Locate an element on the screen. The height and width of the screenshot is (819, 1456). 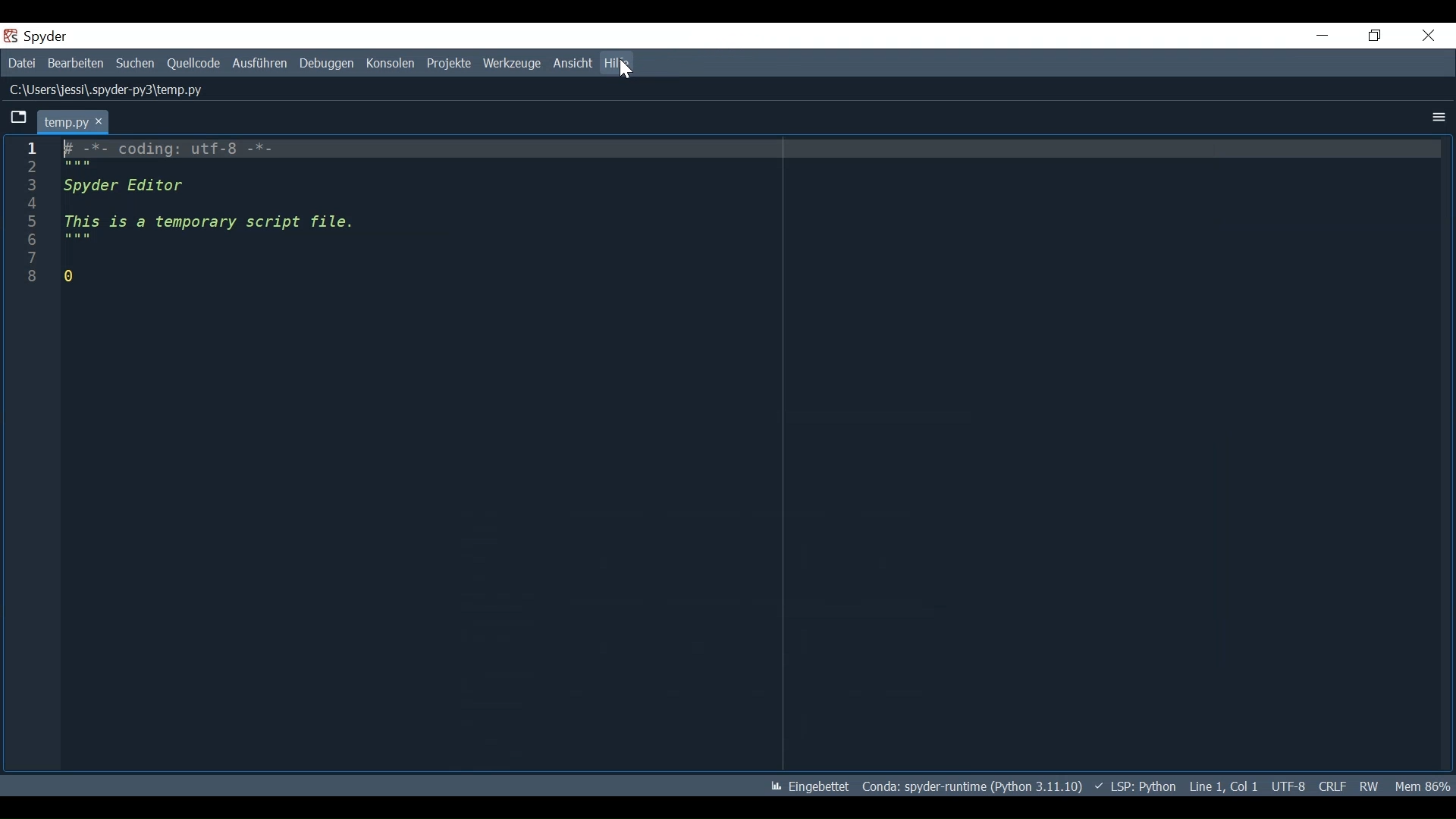
File is located at coordinates (20, 62).